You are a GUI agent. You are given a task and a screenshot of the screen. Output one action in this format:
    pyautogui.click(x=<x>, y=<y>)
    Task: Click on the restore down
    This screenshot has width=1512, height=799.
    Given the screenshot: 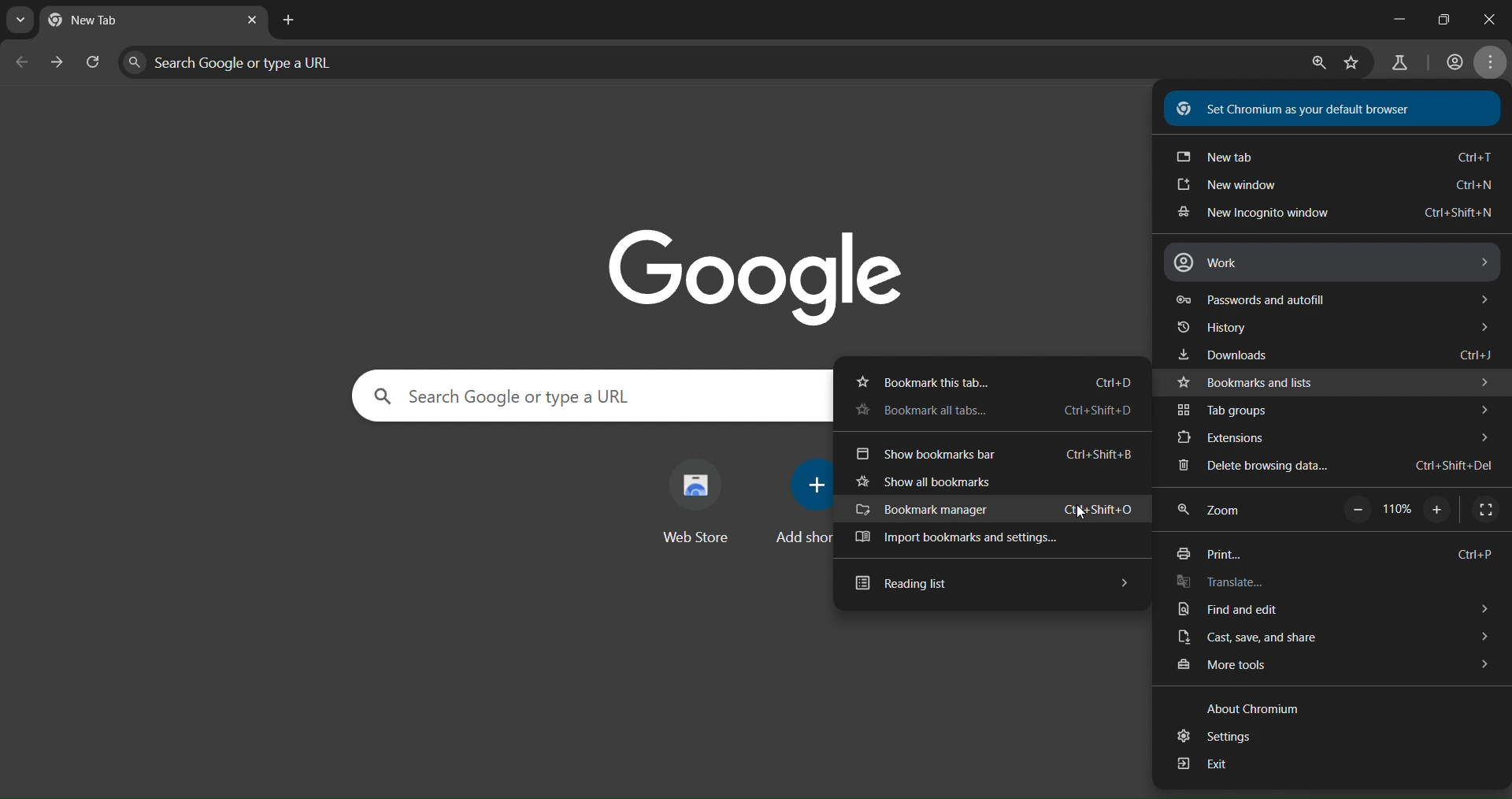 What is the action you would take?
    pyautogui.click(x=1443, y=17)
    